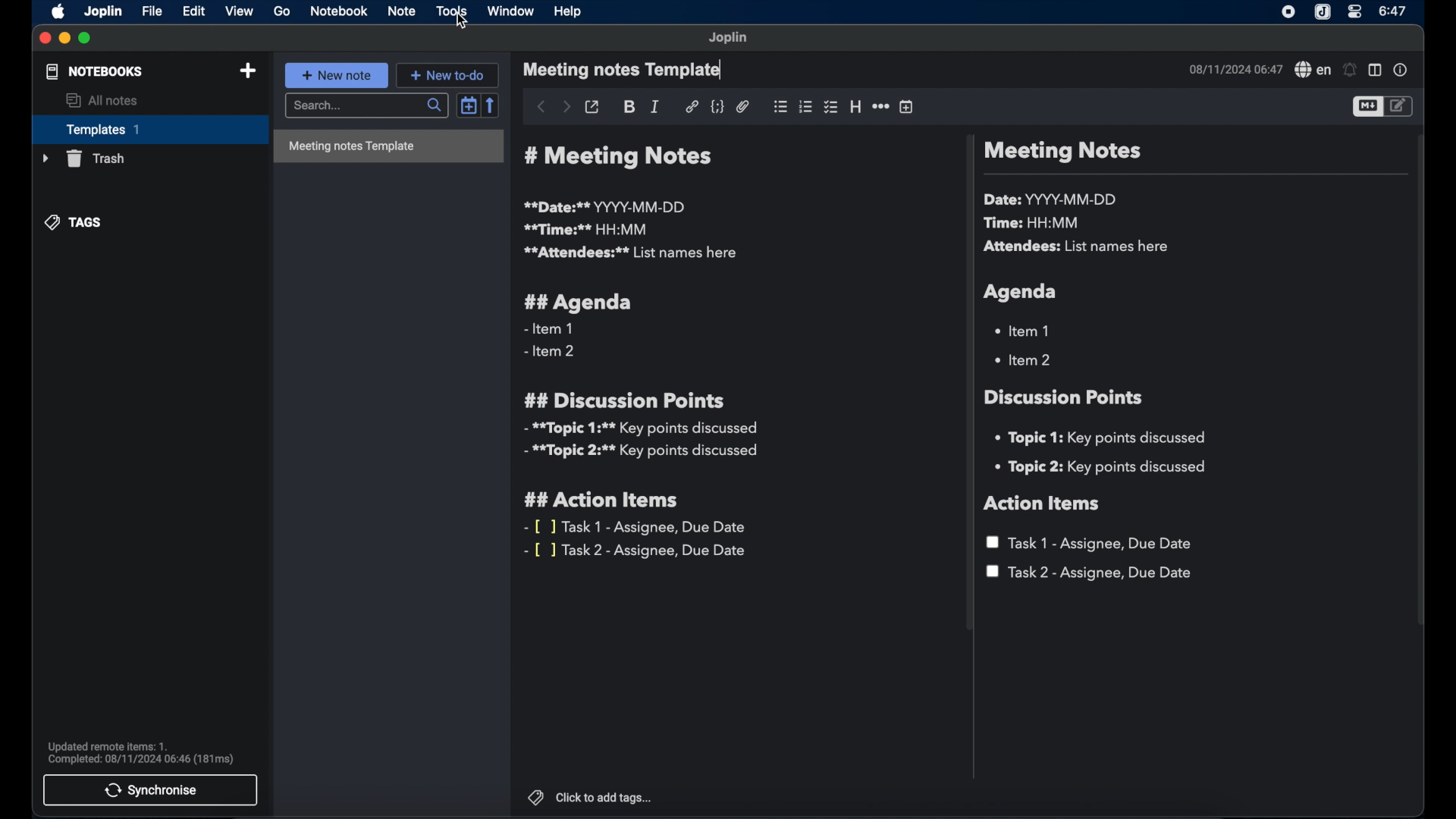 This screenshot has width=1456, height=819. I want to click on trash, so click(82, 158).